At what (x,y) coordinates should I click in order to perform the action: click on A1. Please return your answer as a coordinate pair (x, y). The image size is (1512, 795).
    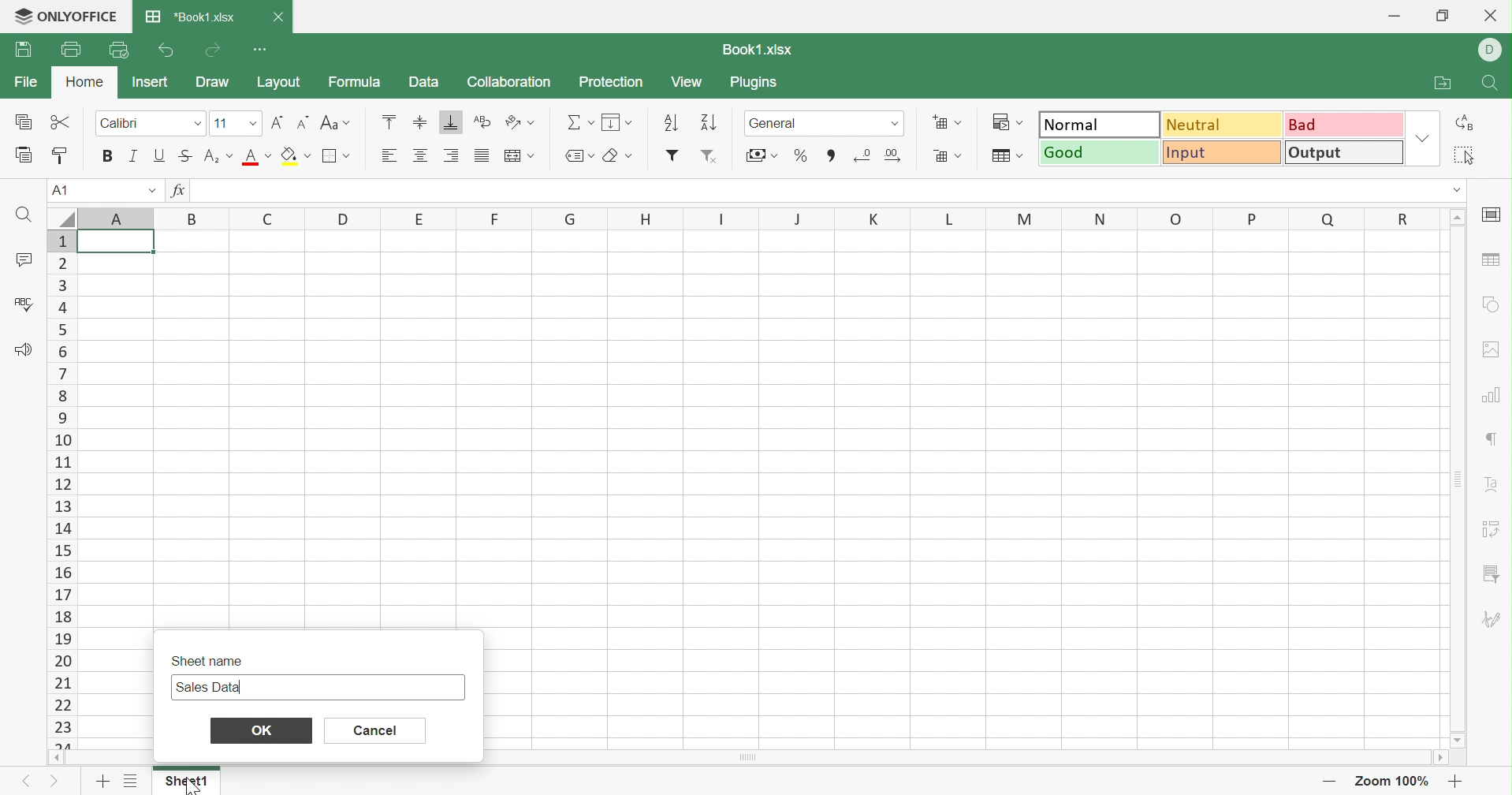
    Looking at the image, I should click on (65, 189).